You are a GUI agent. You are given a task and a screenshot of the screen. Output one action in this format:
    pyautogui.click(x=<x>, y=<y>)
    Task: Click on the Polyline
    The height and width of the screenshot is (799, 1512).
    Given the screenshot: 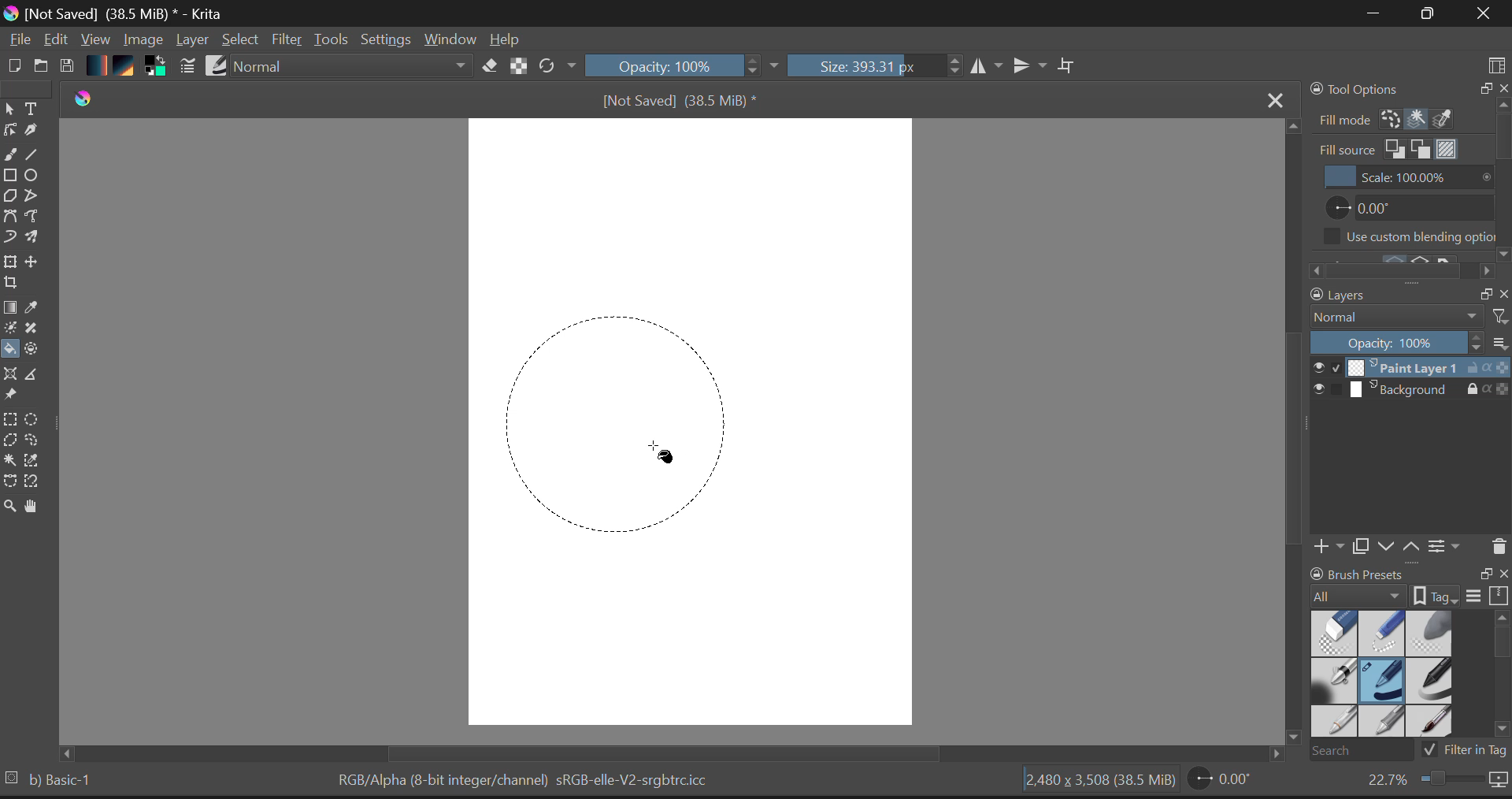 What is the action you would take?
    pyautogui.click(x=35, y=199)
    